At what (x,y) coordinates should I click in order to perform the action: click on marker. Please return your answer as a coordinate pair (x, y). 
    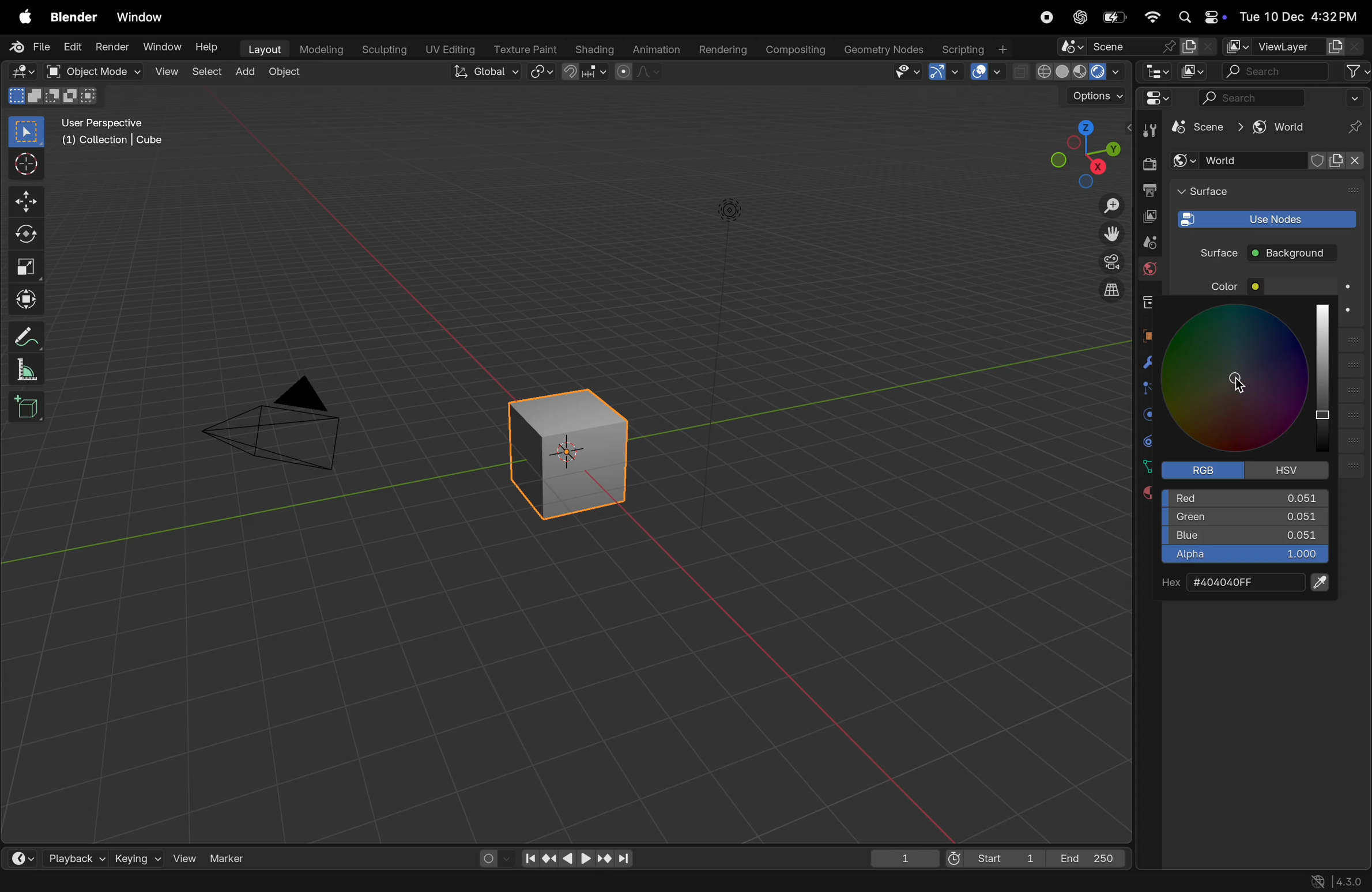
    Looking at the image, I should click on (233, 857).